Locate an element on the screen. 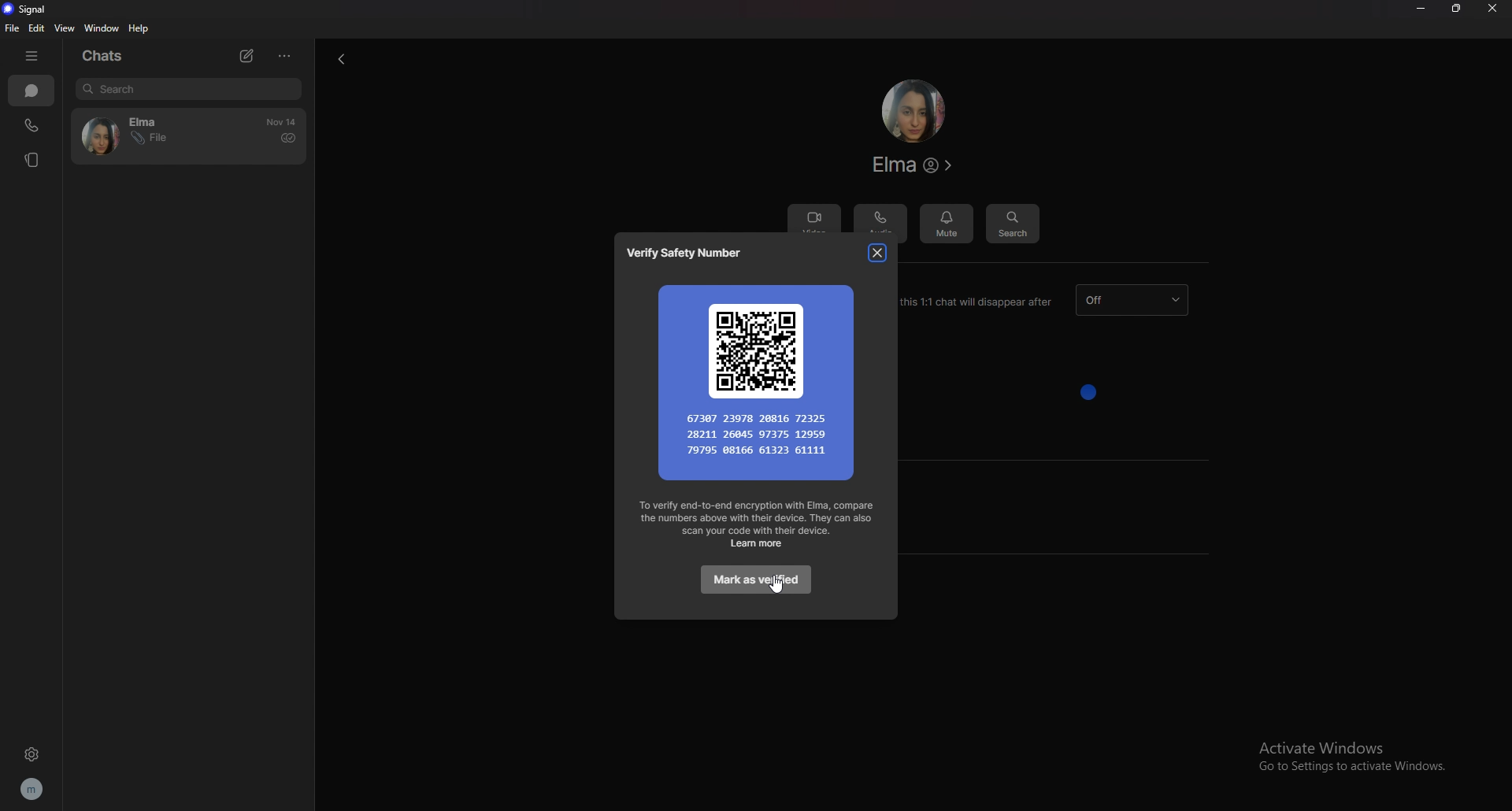 The height and width of the screenshot is (811, 1512). back is located at coordinates (338, 61).